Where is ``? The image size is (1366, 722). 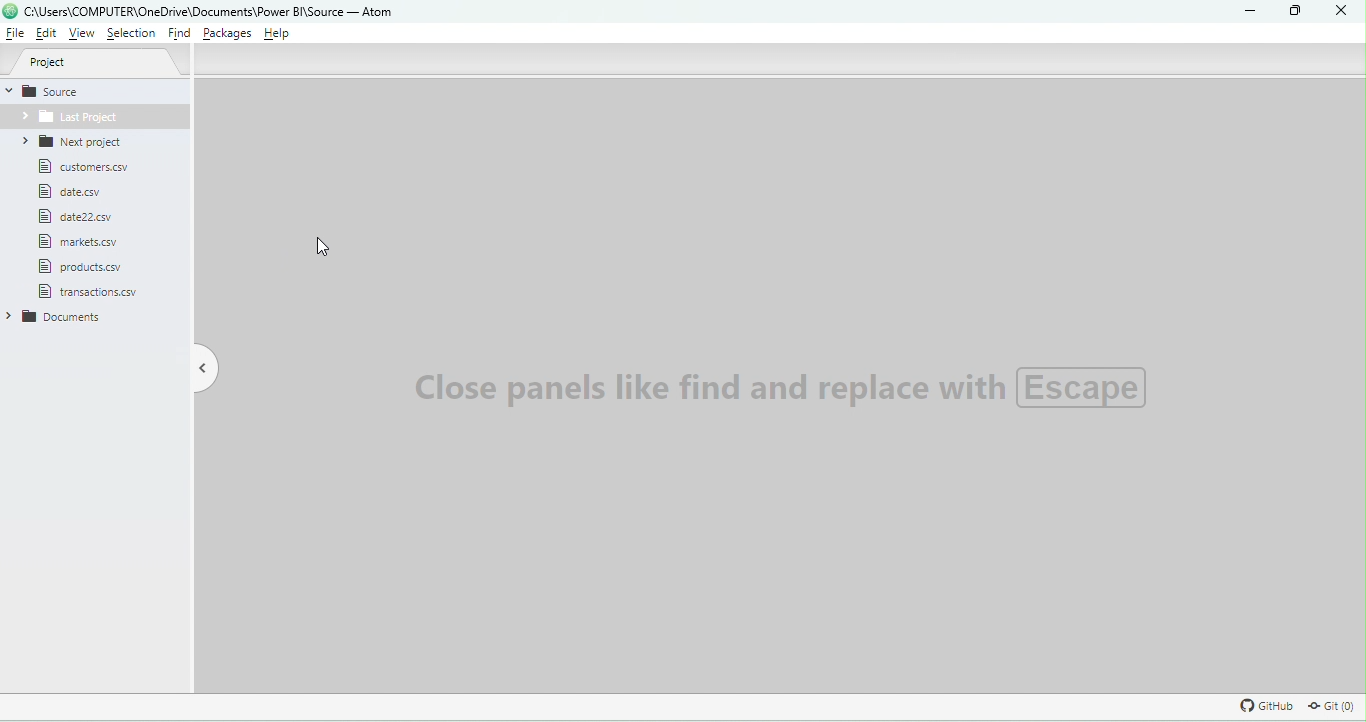
 is located at coordinates (14, 33).